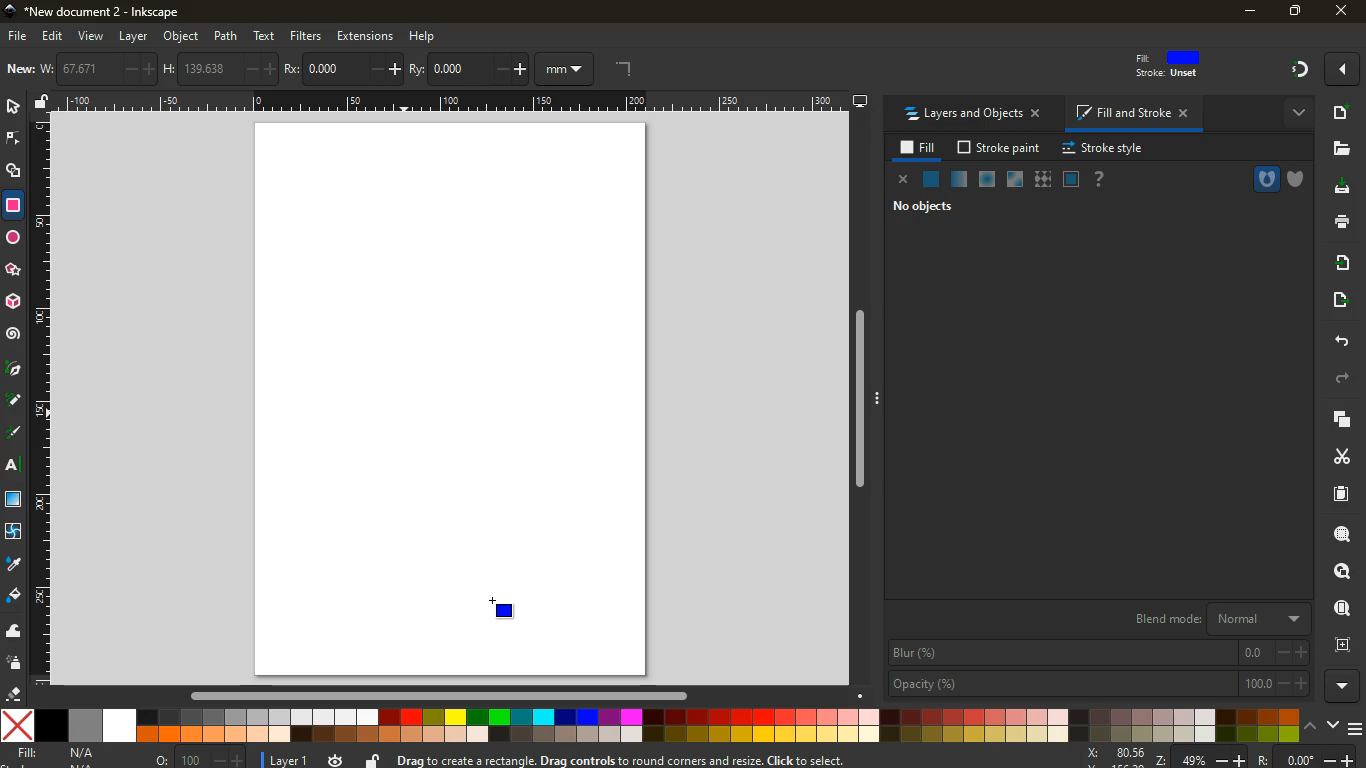 The width and height of the screenshot is (1366, 768). What do you see at coordinates (1313, 727) in the screenshot?
I see `up` at bounding box center [1313, 727].